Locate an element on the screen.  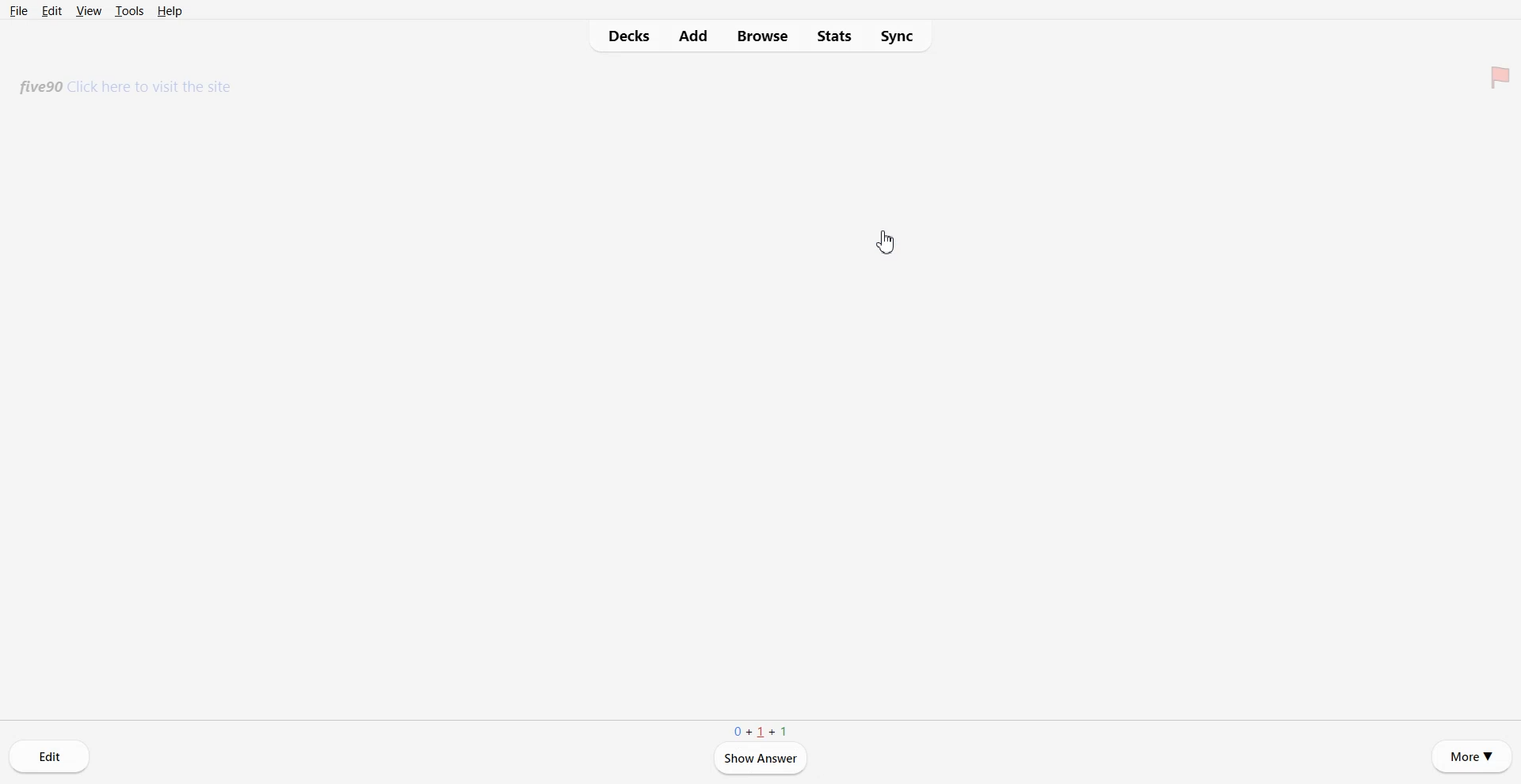
Edit is located at coordinates (50, 756).